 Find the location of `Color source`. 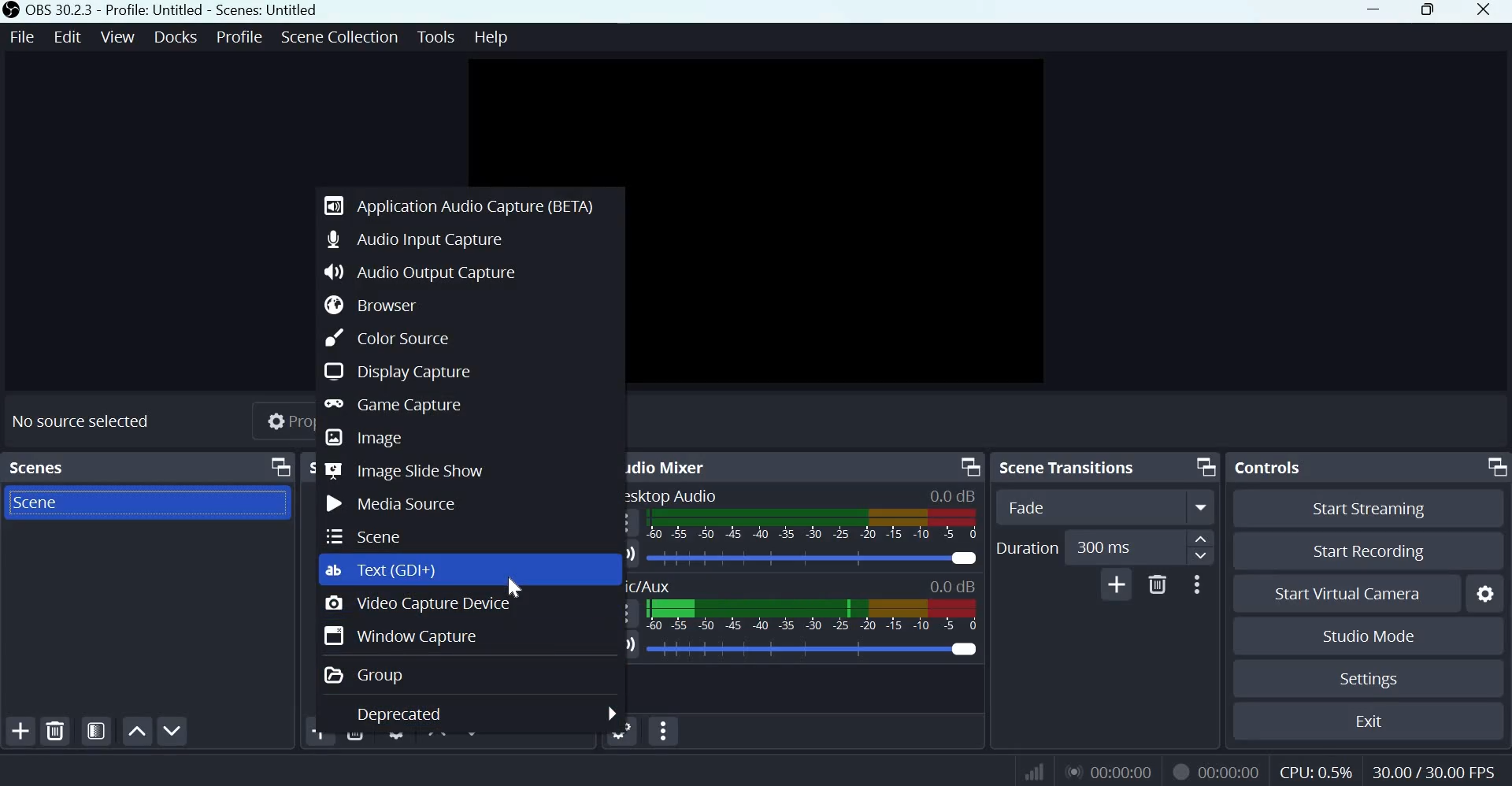

Color source is located at coordinates (385, 337).